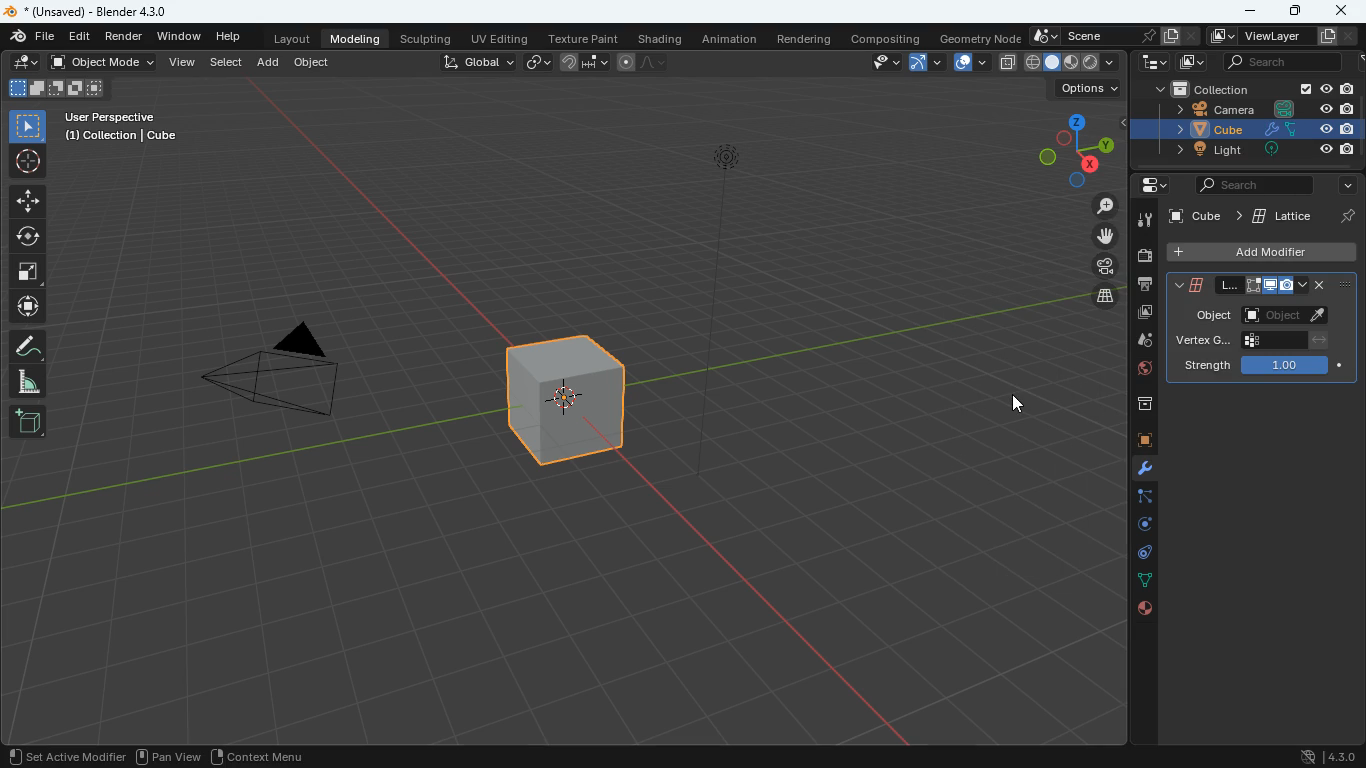 Image resolution: width=1366 pixels, height=768 pixels. Describe the element at coordinates (1285, 37) in the screenshot. I see `viewlayer` at that location.